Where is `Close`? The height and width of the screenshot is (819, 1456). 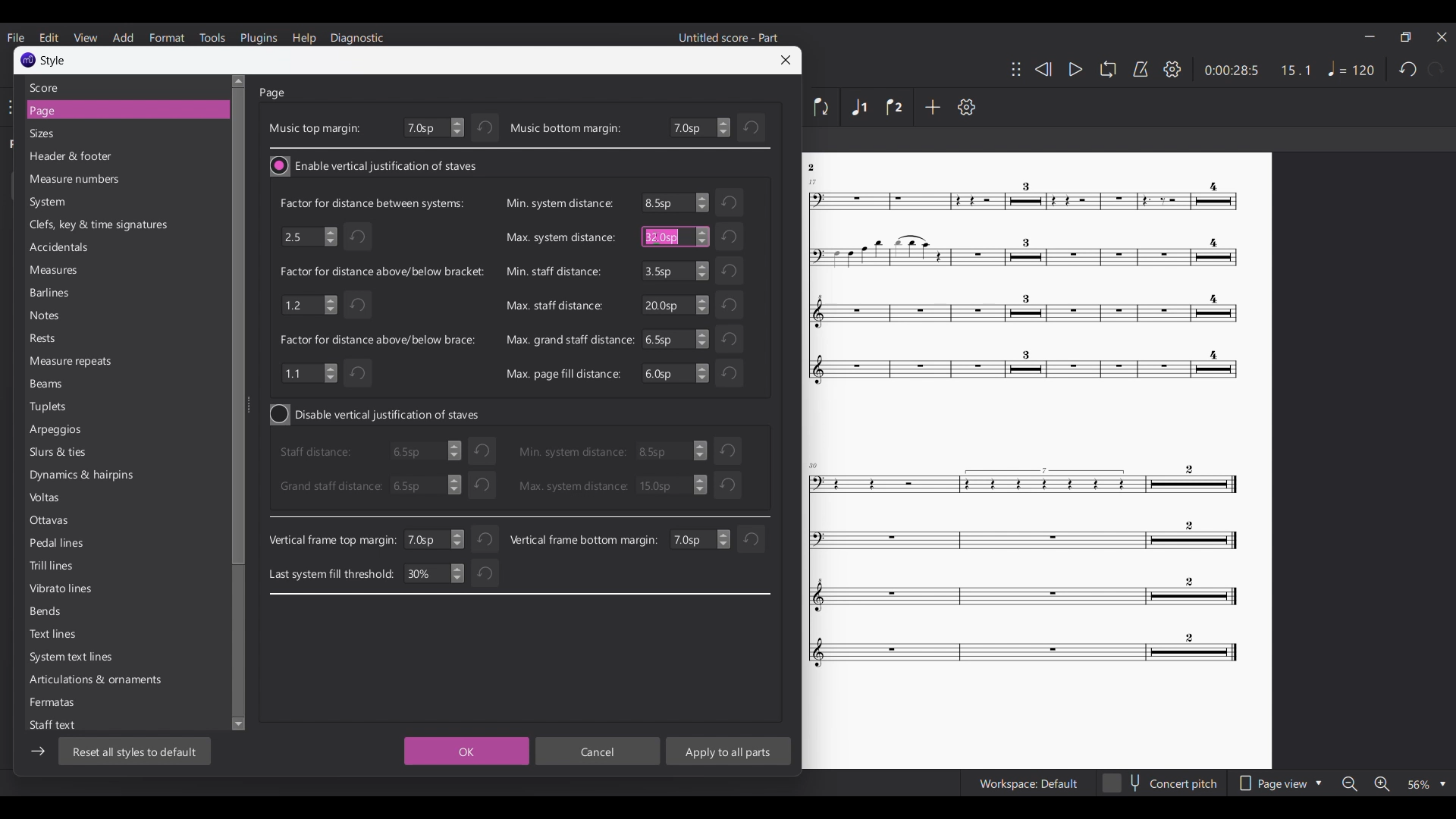 Close is located at coordinates (786, 60).